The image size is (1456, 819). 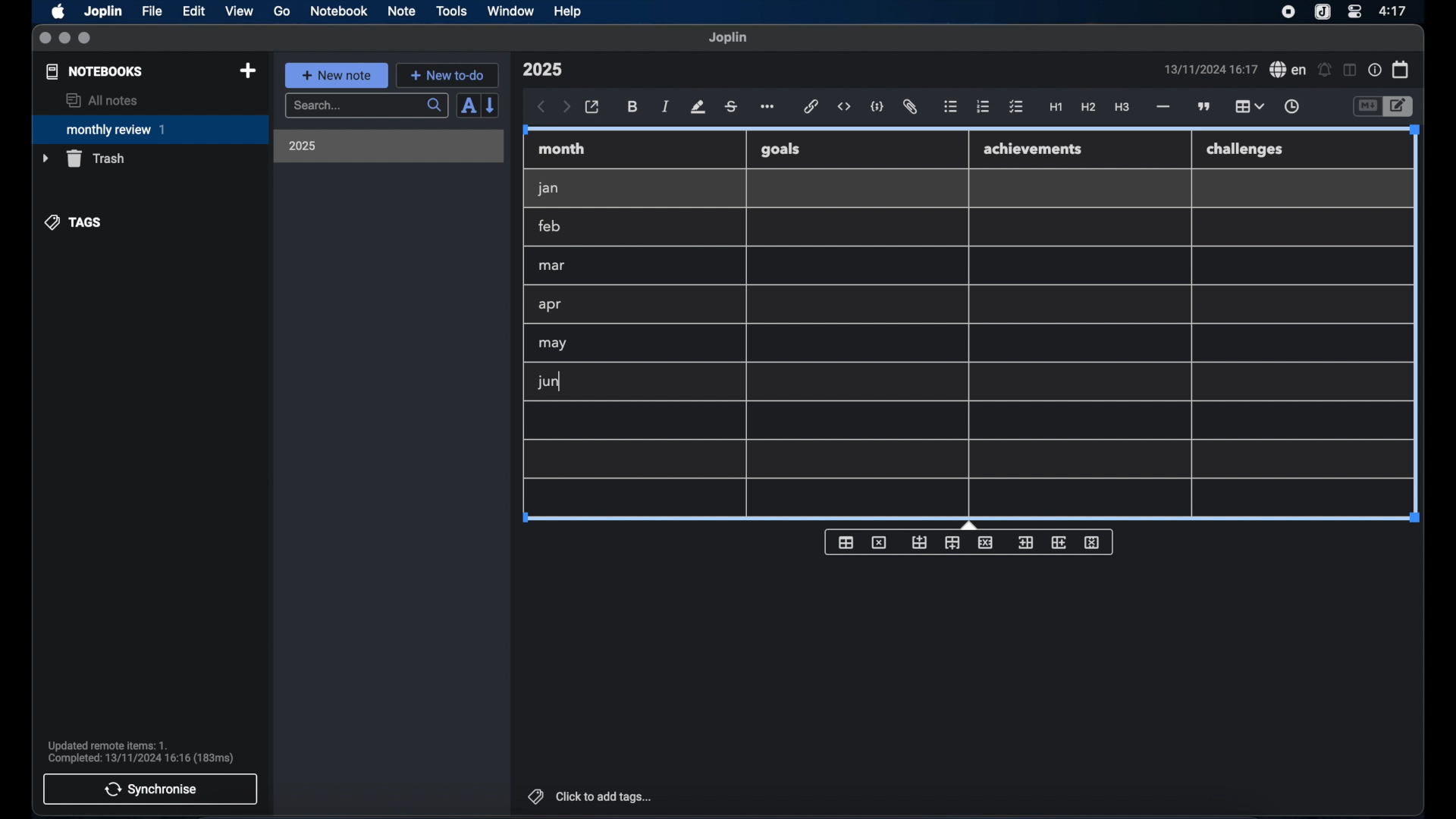 I want to click on numbered list, so click(x=983, y=106).